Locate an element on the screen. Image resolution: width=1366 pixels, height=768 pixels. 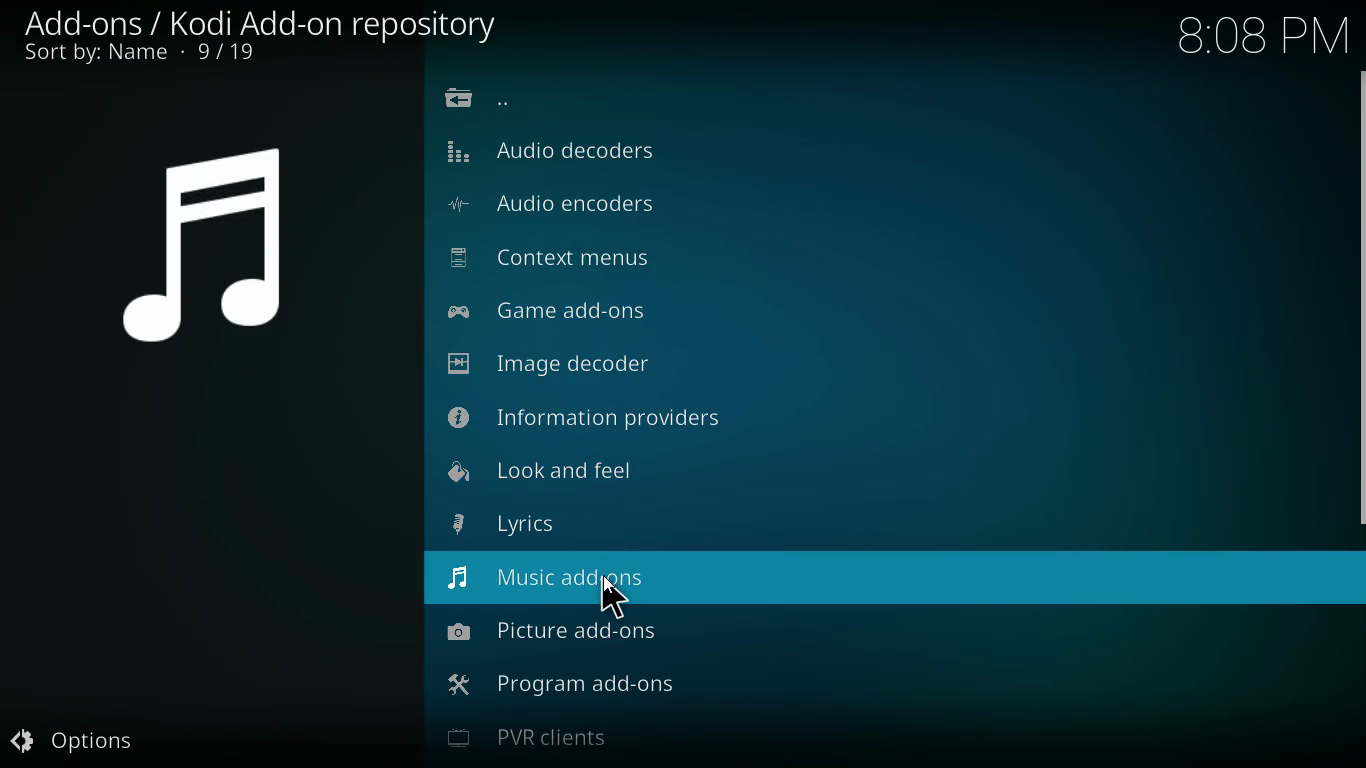
scroll  bar is located at coordinates (1355, 299).